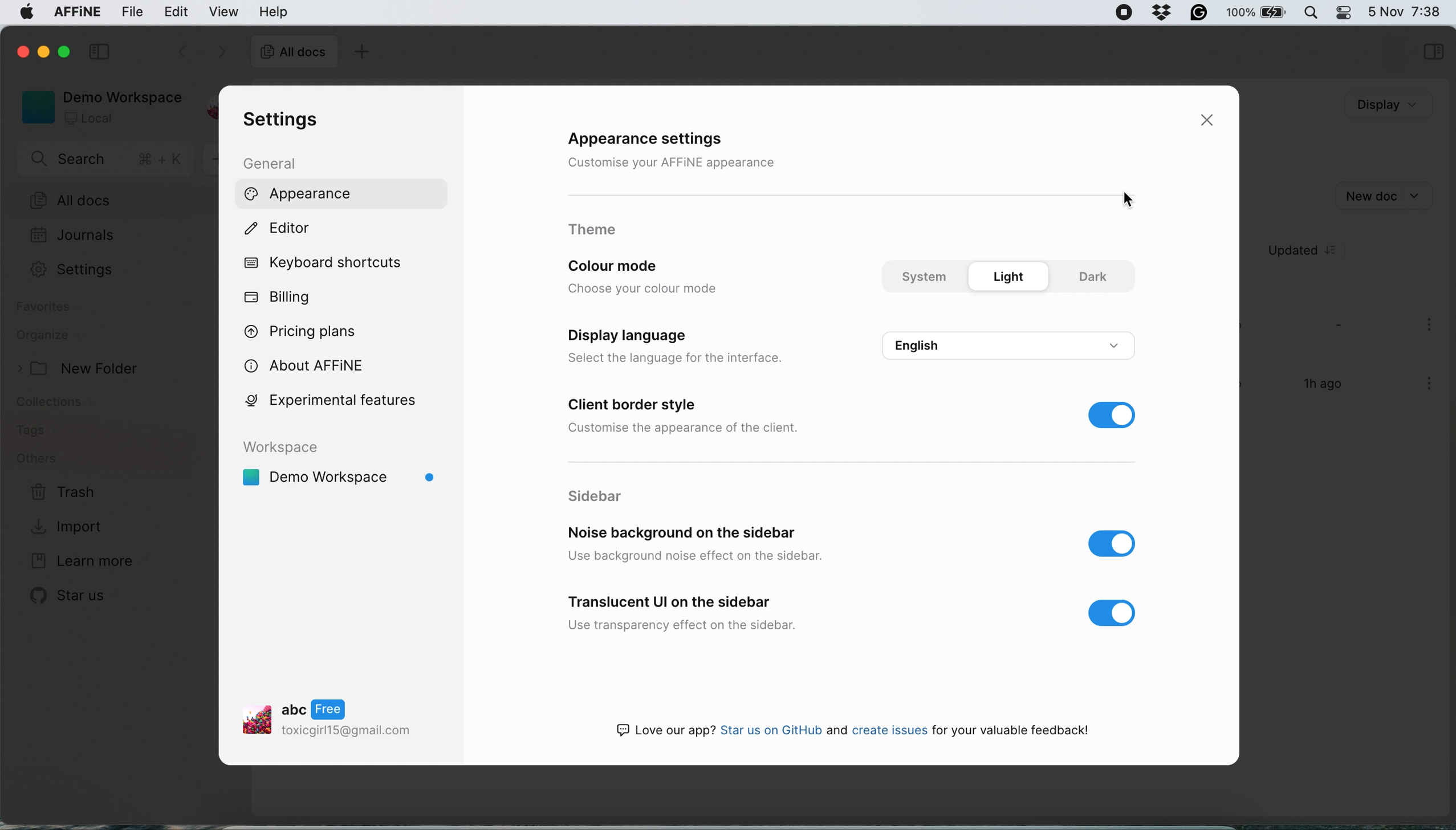 Image resolution: width=1456 pixels, height=830 pixels. I want to click on tags, so click(46, 430).